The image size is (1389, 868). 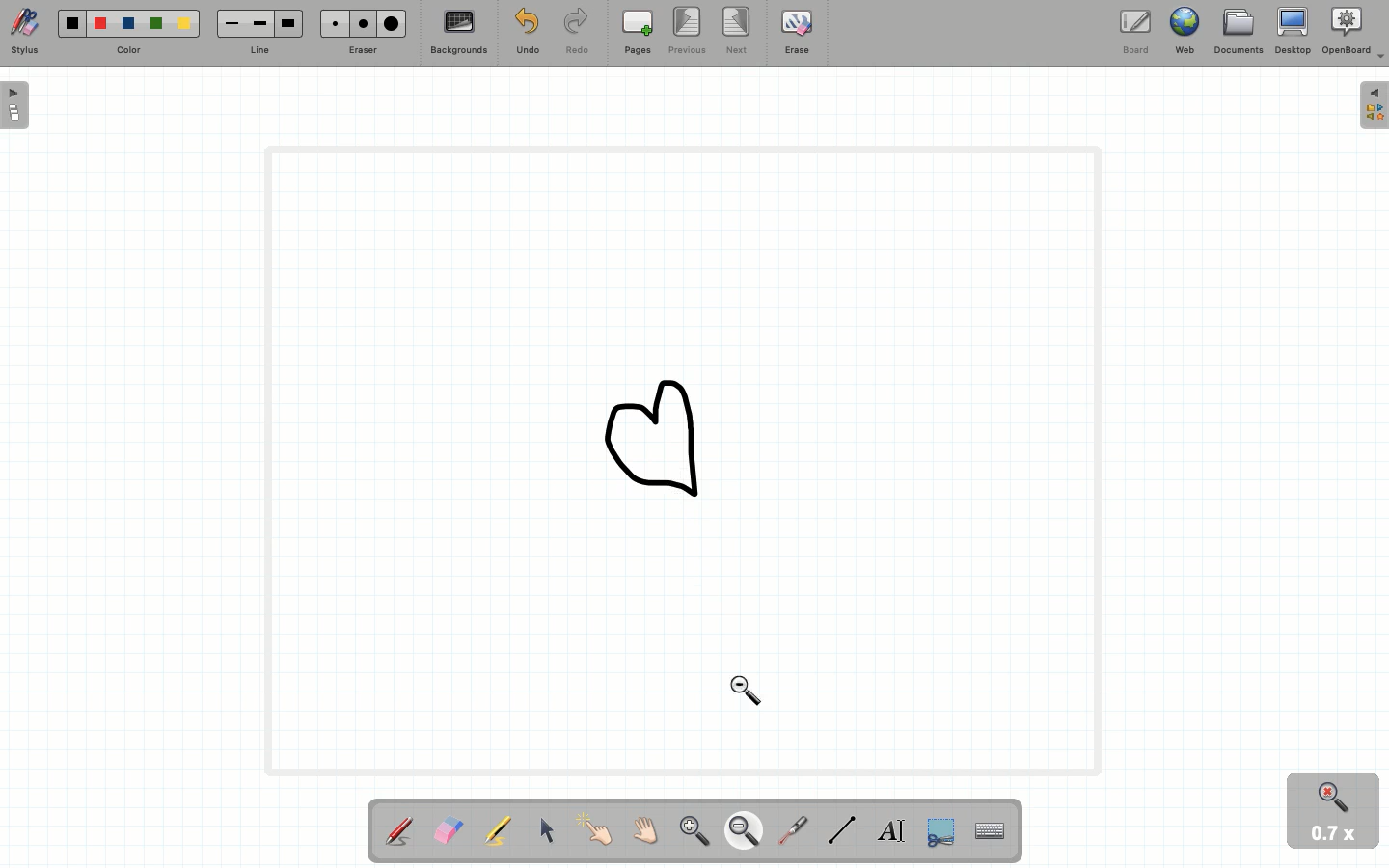 What do you see at coordinates (635, 32) in the screenshot?
I see `Pages (add)` at bounding box center [635, 32].